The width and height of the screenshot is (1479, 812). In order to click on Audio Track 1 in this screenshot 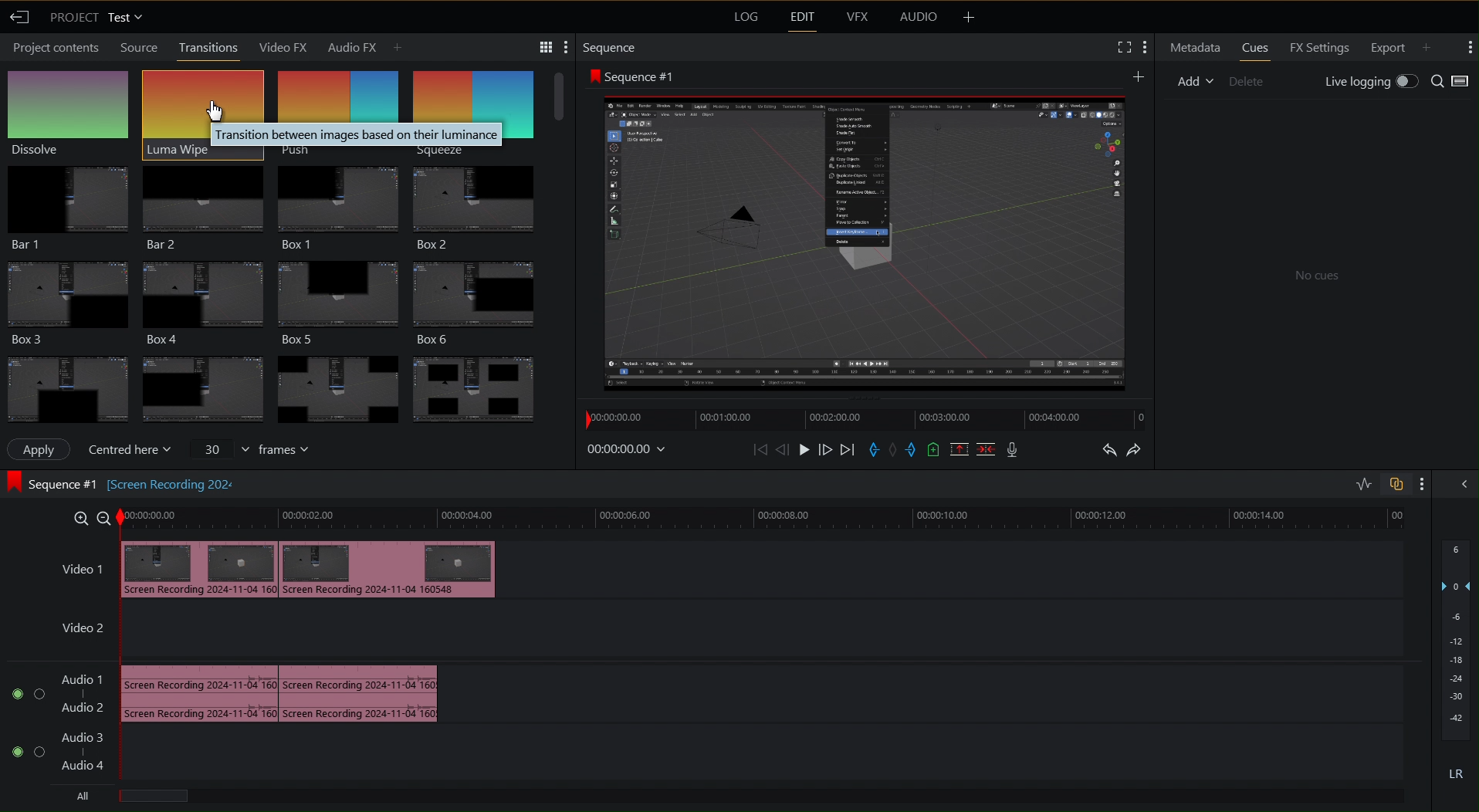, I will do `click(311, 692)`.